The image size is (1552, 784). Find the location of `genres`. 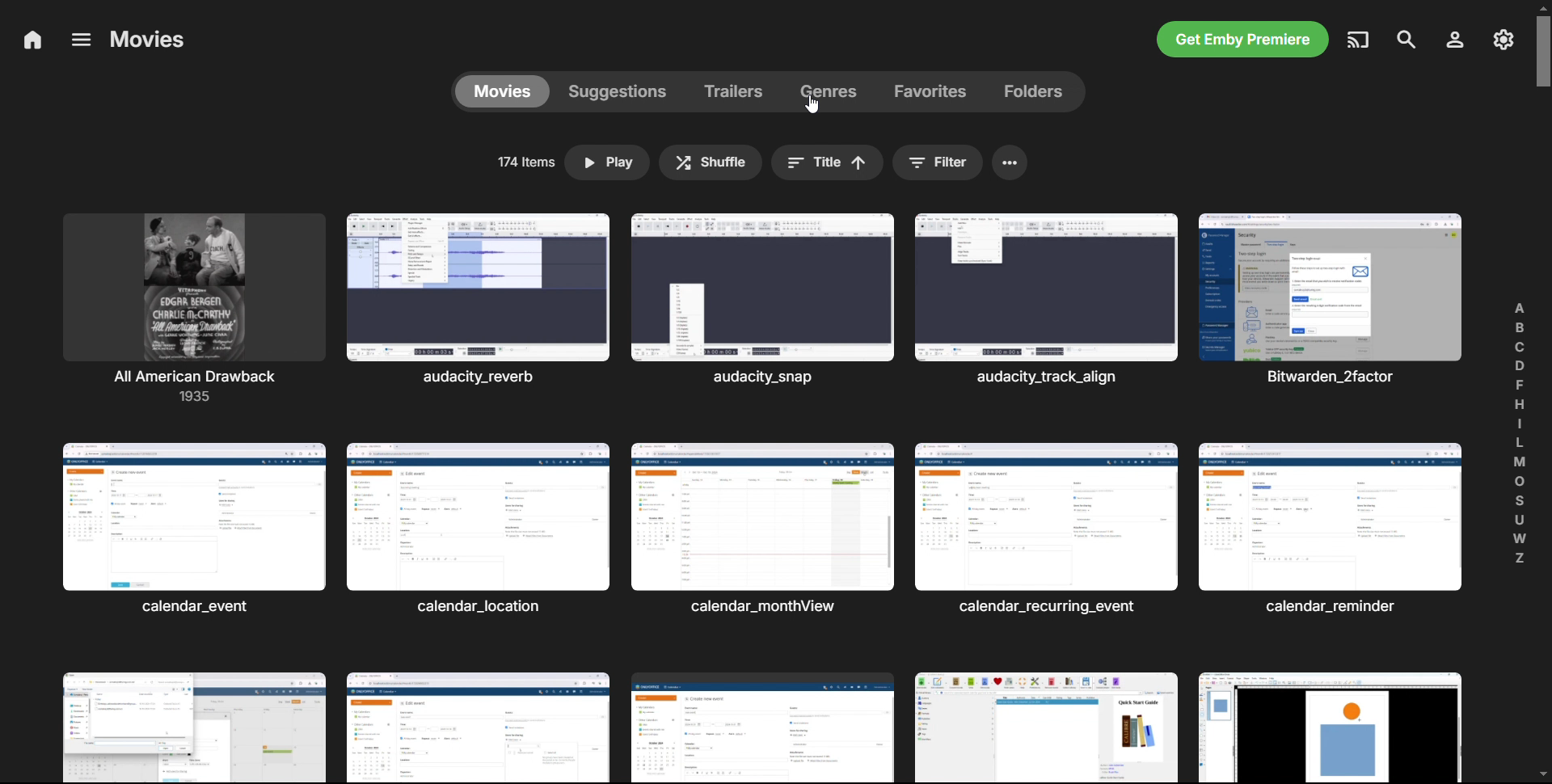

genres is located at coordinates (836, 93).